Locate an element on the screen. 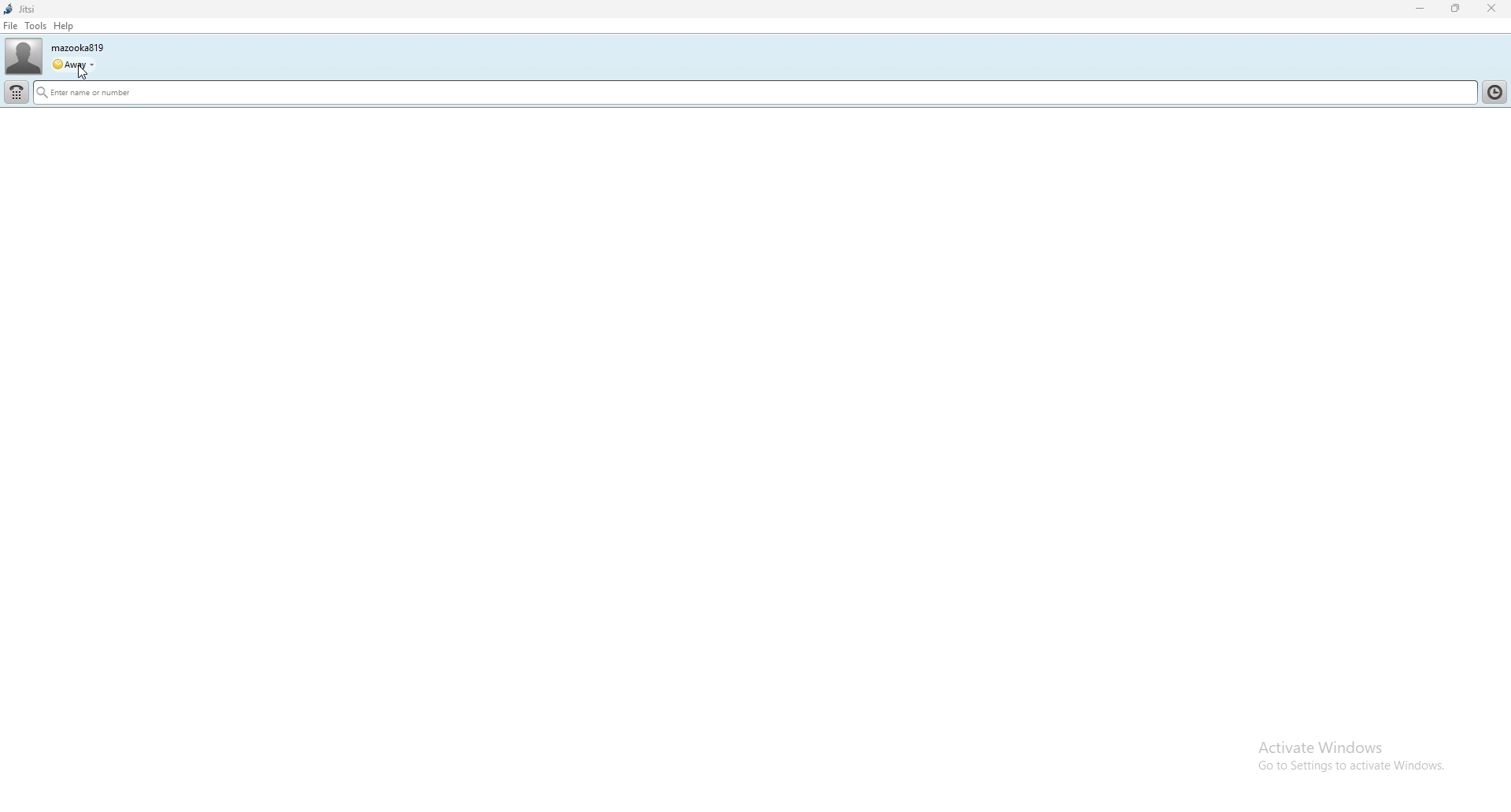  jitsi is located at coordinates (20, 9).